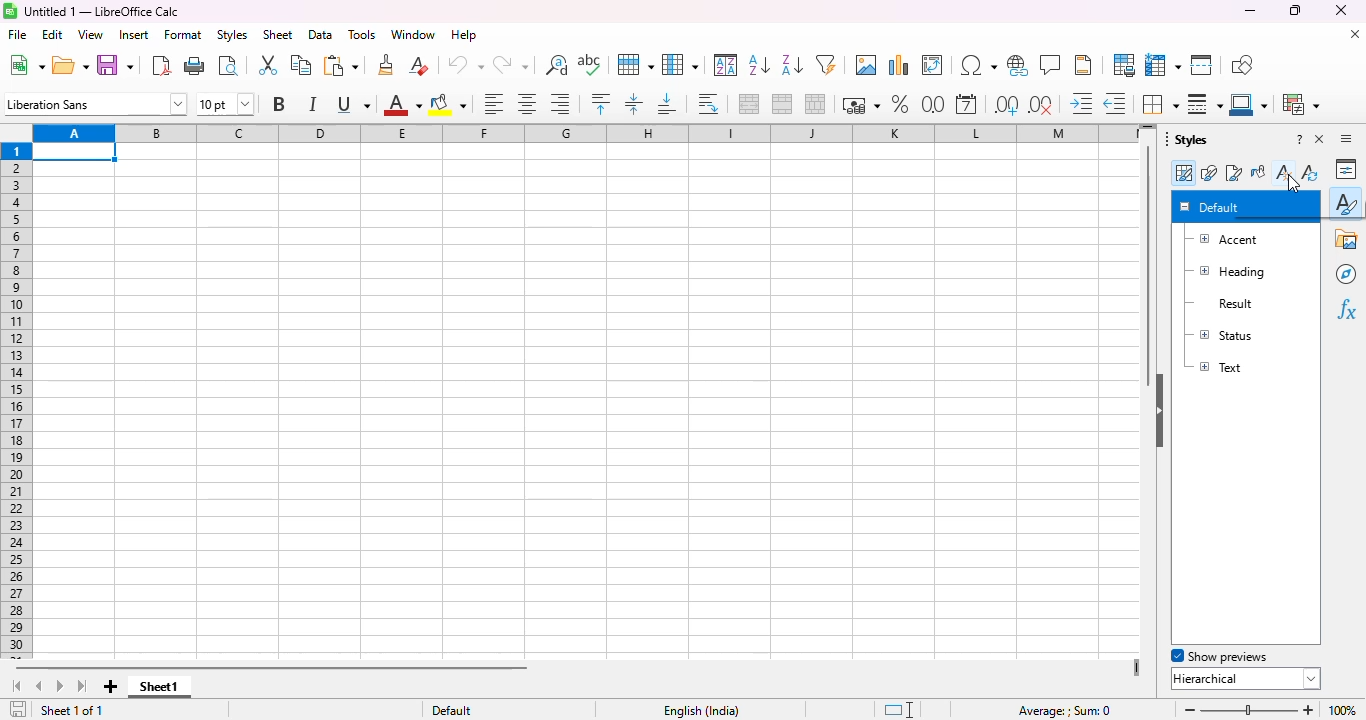  Describe the element at coordinates (1233, 172) in the screenshot. I see `page styles` at that location.